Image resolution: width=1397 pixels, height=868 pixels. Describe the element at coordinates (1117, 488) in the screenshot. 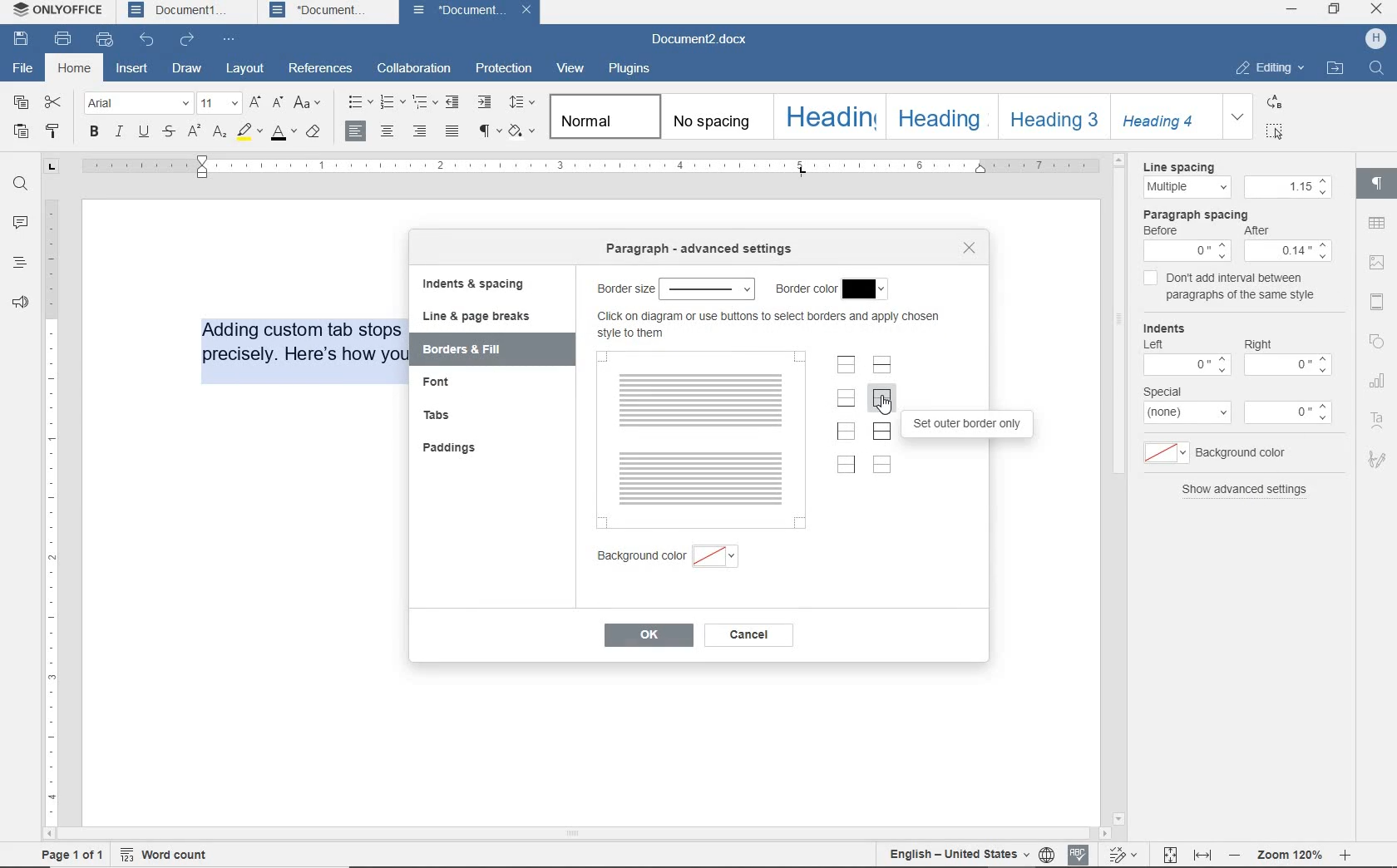

I see `scroll bar` at that location.